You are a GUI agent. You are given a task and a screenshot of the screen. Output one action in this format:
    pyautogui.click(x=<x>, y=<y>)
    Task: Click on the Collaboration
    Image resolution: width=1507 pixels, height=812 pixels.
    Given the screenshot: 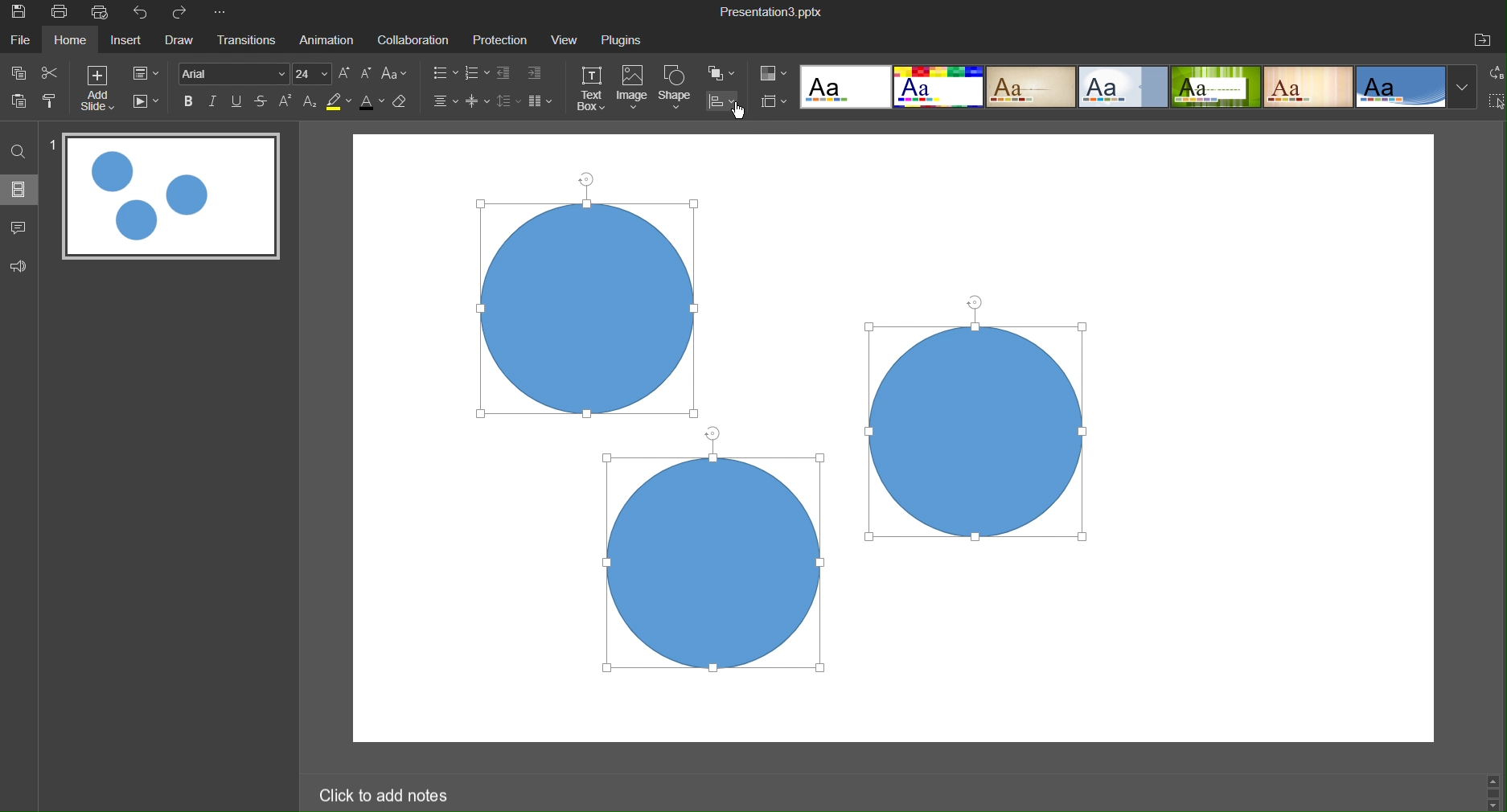 What is the action you would take?
    pyautogui.click(x=416, y=40)
    